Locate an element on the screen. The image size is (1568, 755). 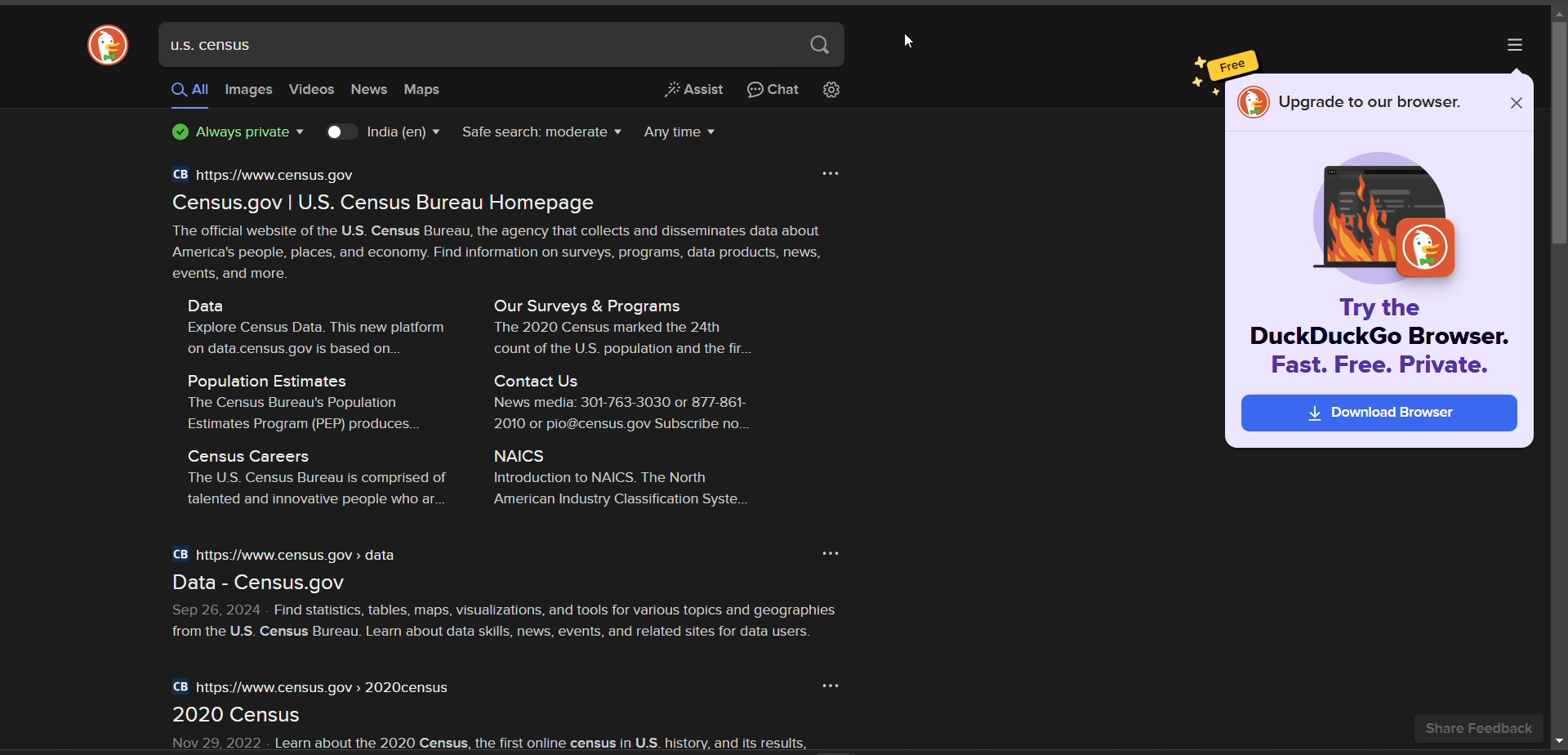
All is located at coordinates (185, 96).